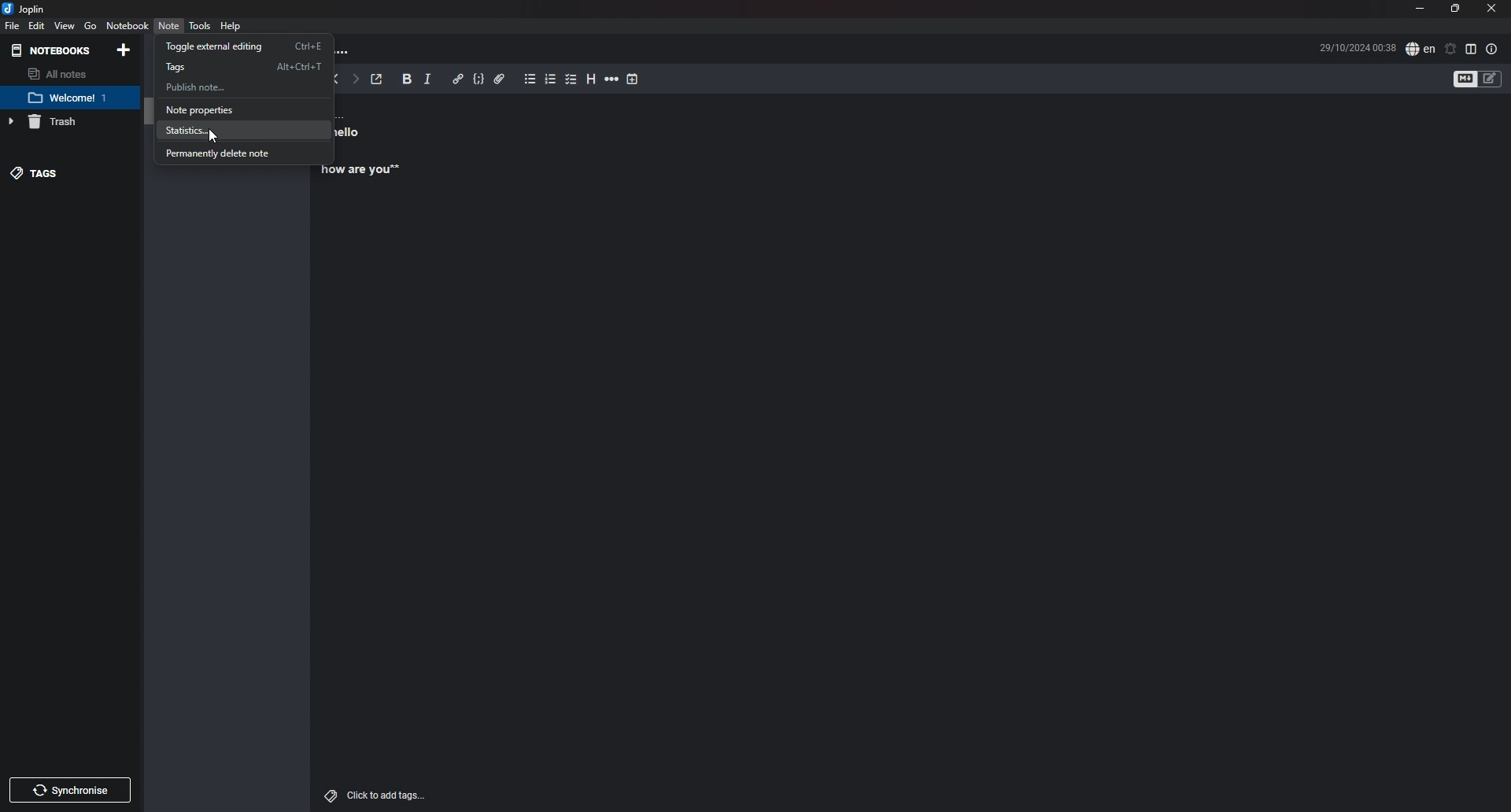 The width and height of the screenshot is (1511, 812). What do you see at coordinates (1457, 8) in the screenshot?
I see `Resize` at bounding box center [1457, 8].